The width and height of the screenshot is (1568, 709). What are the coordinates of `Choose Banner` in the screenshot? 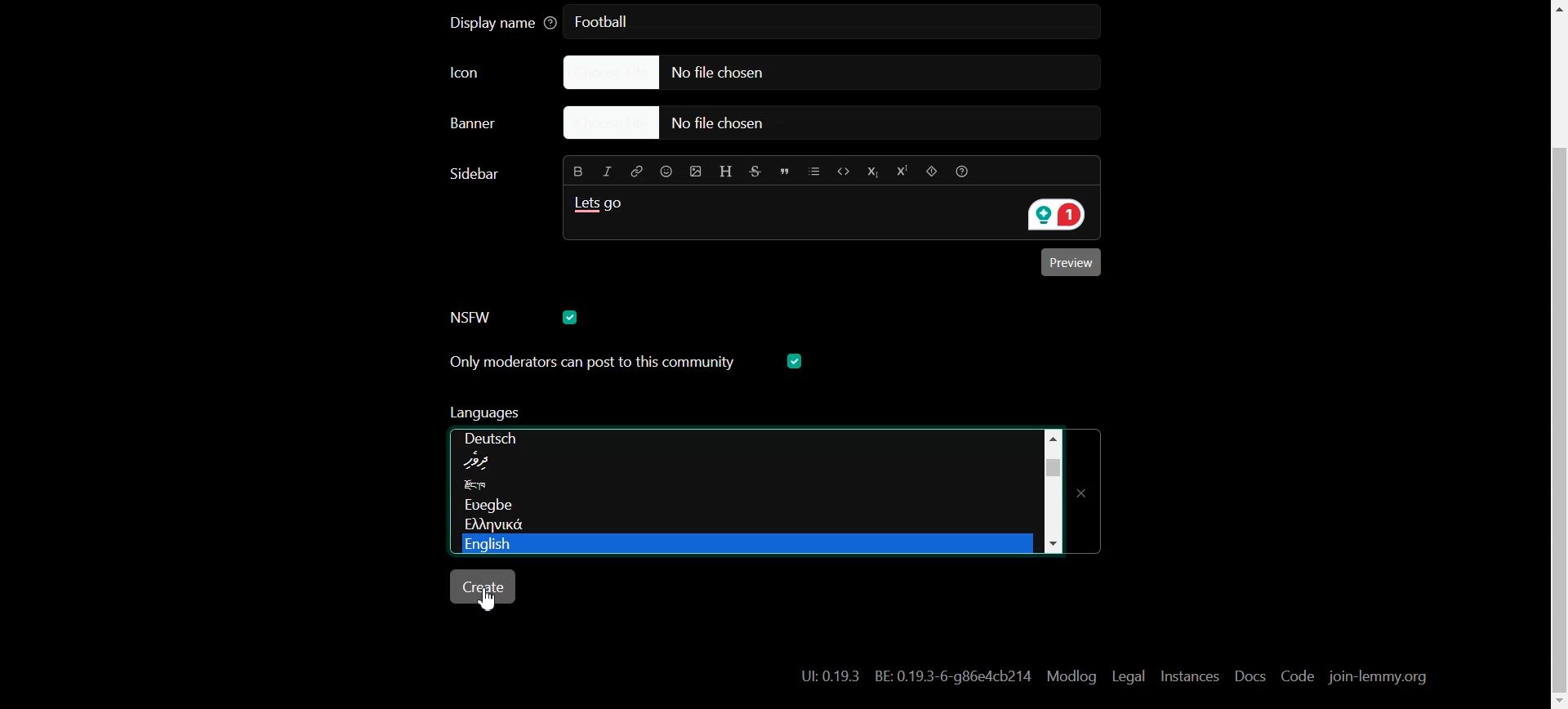 It's located at (492, 127).